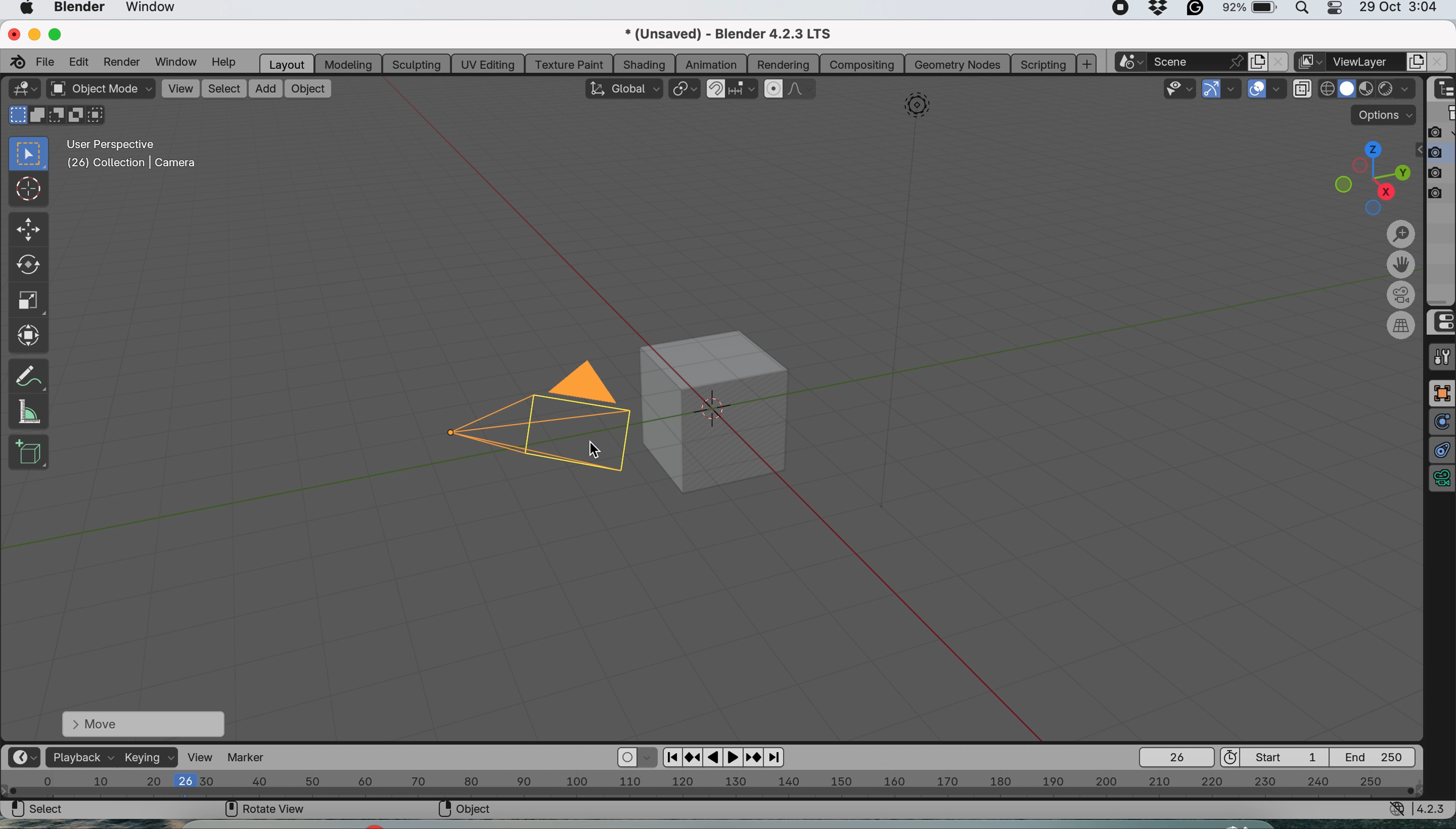  What do you see at coordinates (130, 154) in the screenshot?
I see `User perspective (26) | Camera` at bounding box center [130, 154].